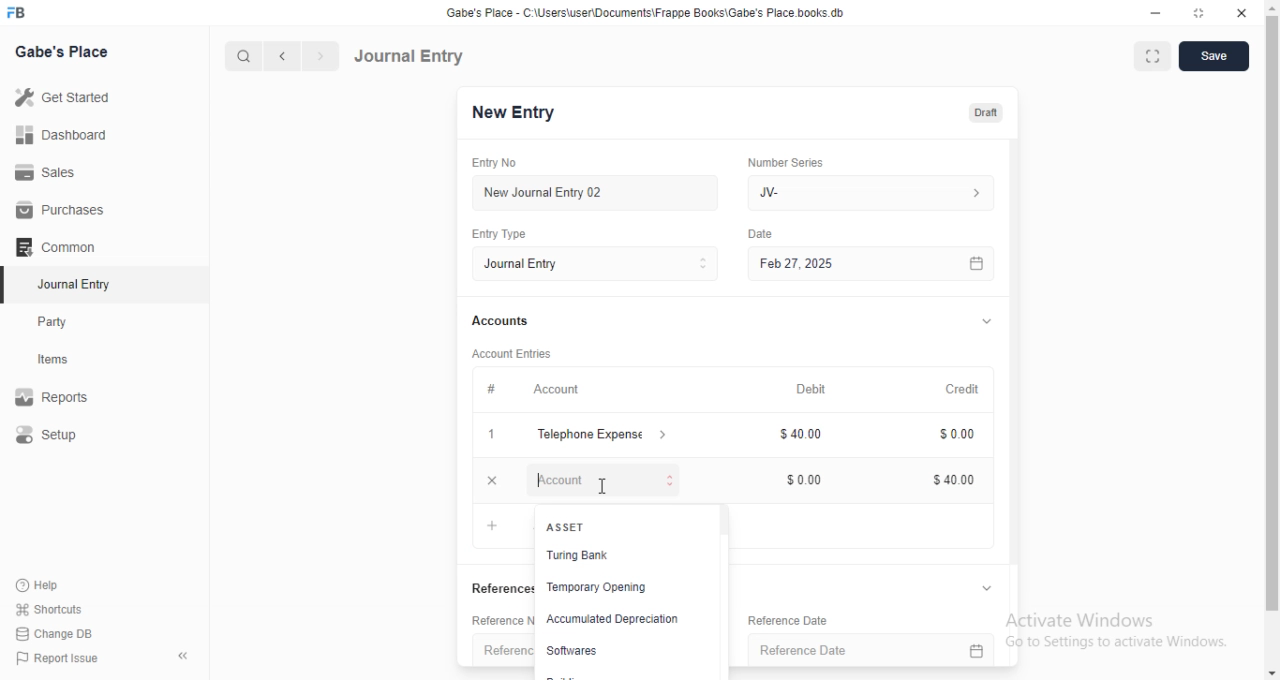 The width and height of the screenshot is (1280, 680). I want to click on Asset, so click(567, 526).